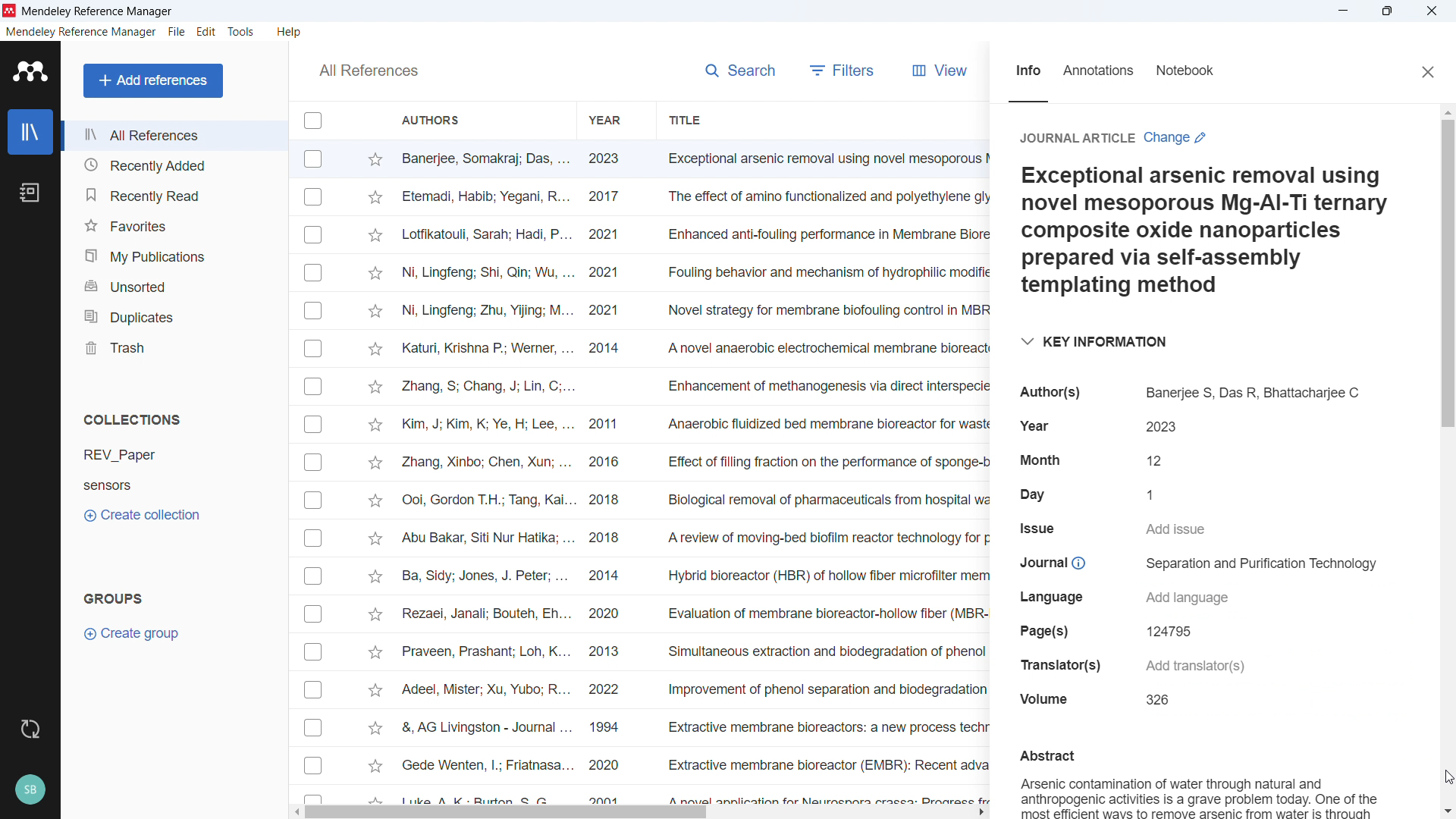 The image size is (1456, 819). What do you see at coordinates (1196, 598) in the screenshot?
I see `add language` at bounding box center [1196, 598].